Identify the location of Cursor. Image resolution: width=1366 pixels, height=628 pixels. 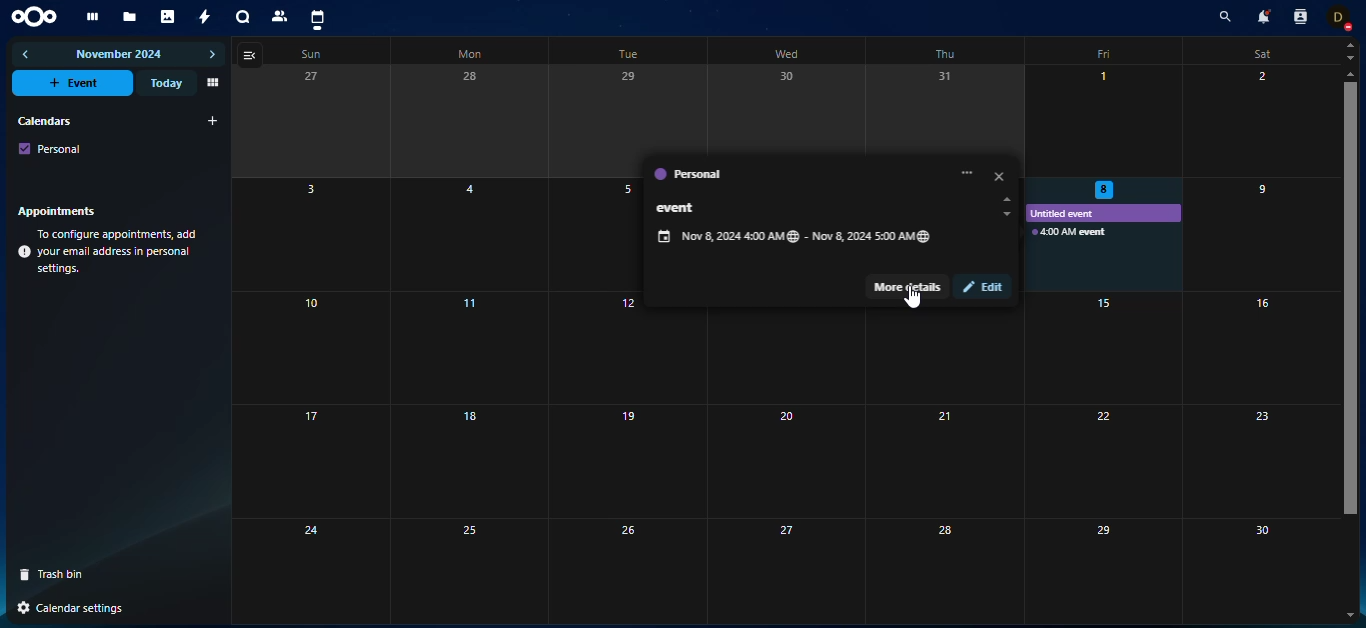
(914, 298).